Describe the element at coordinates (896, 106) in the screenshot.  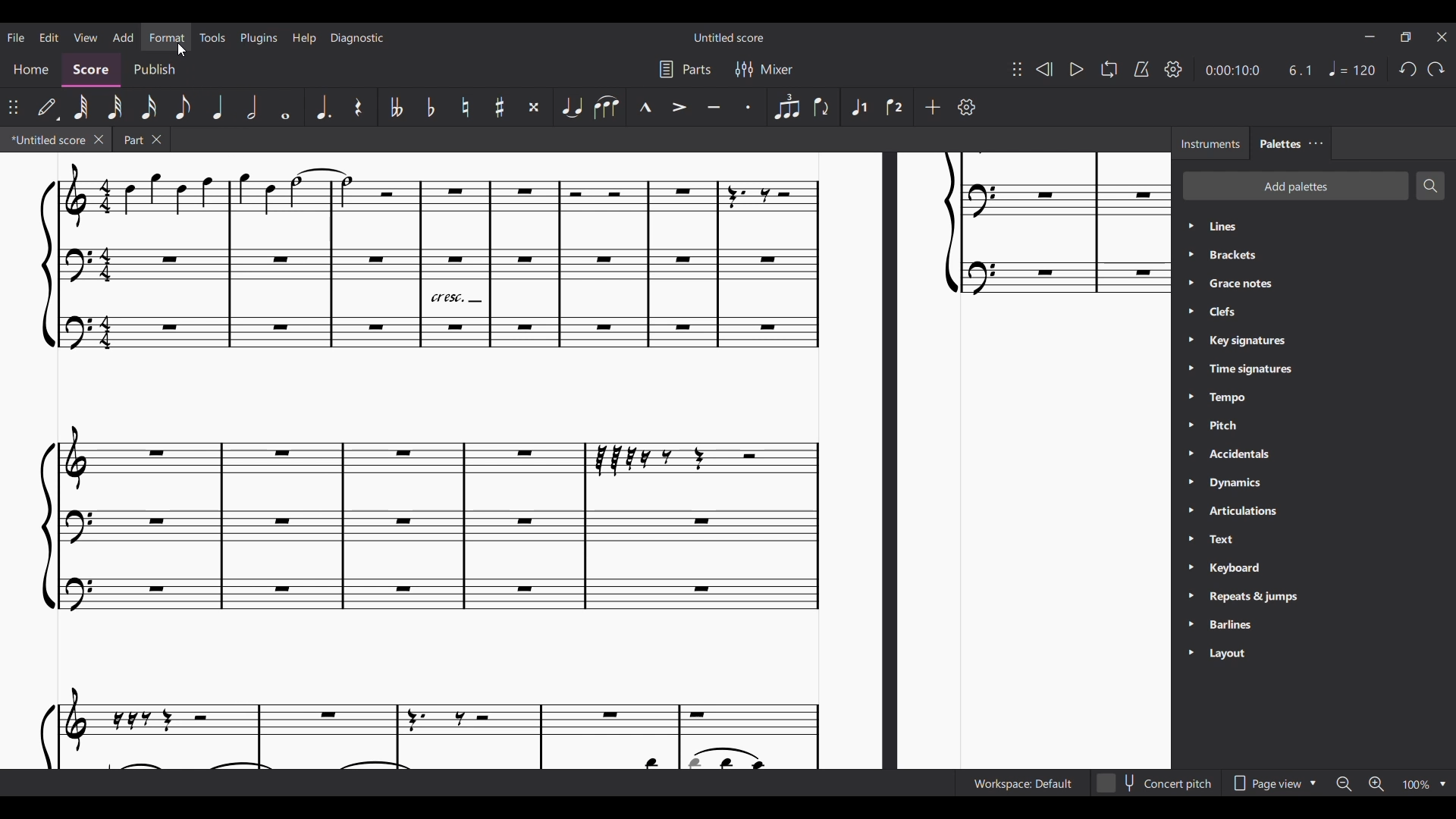
I see `Voice 2` at that location.